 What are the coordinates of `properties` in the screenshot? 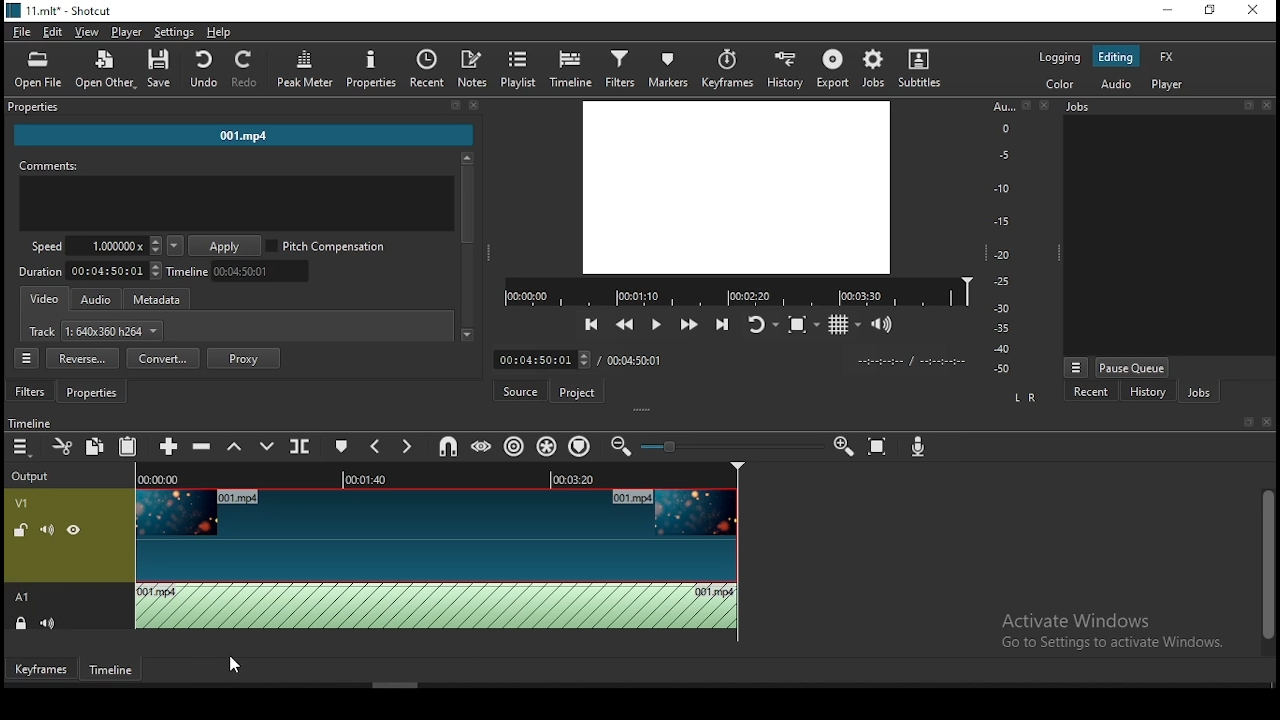 It's located at (91, 393).